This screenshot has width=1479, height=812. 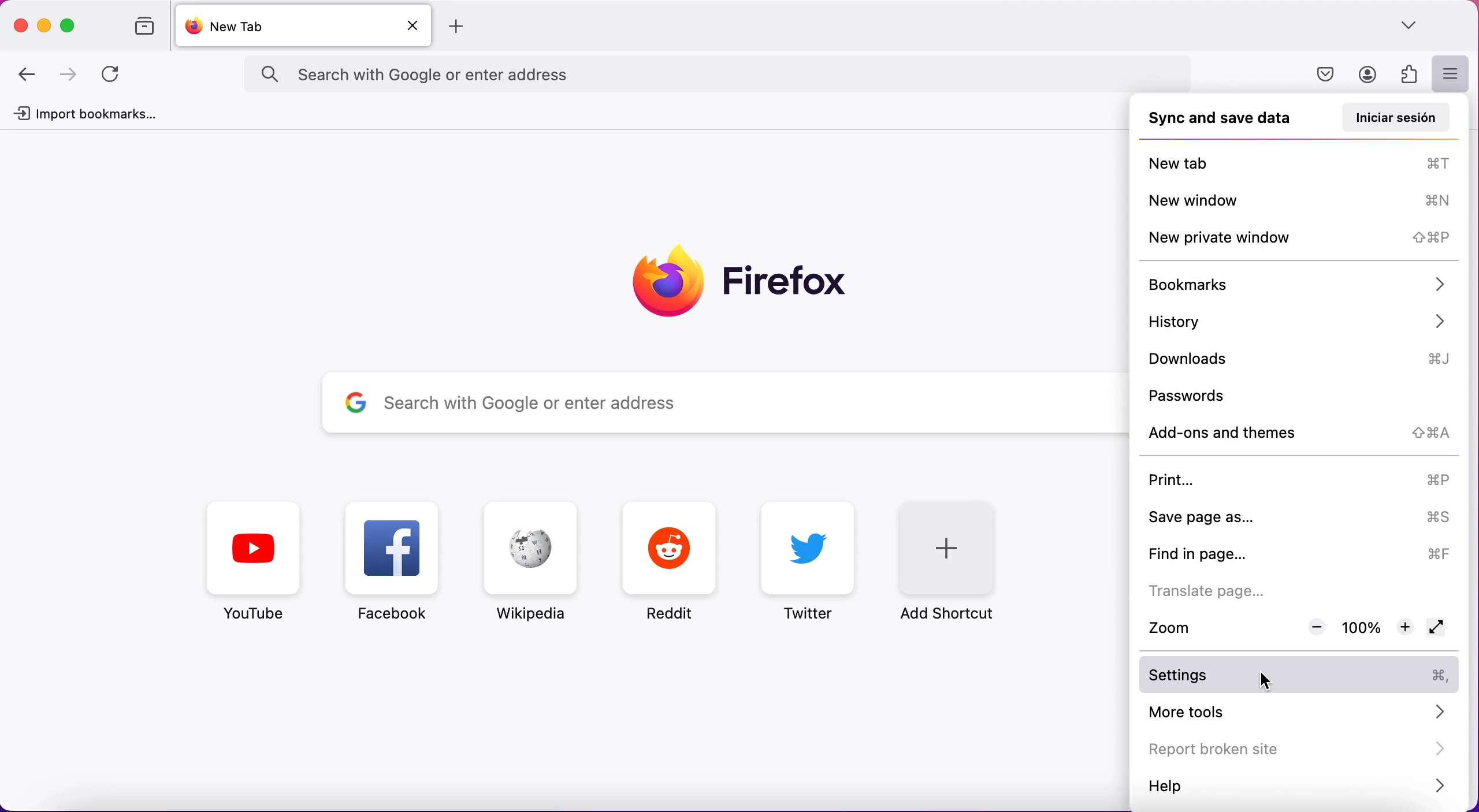 What do you see at coordinates (742, 279) in the screenshot?
I see `firefox logo` at bounding box center [742, 279].